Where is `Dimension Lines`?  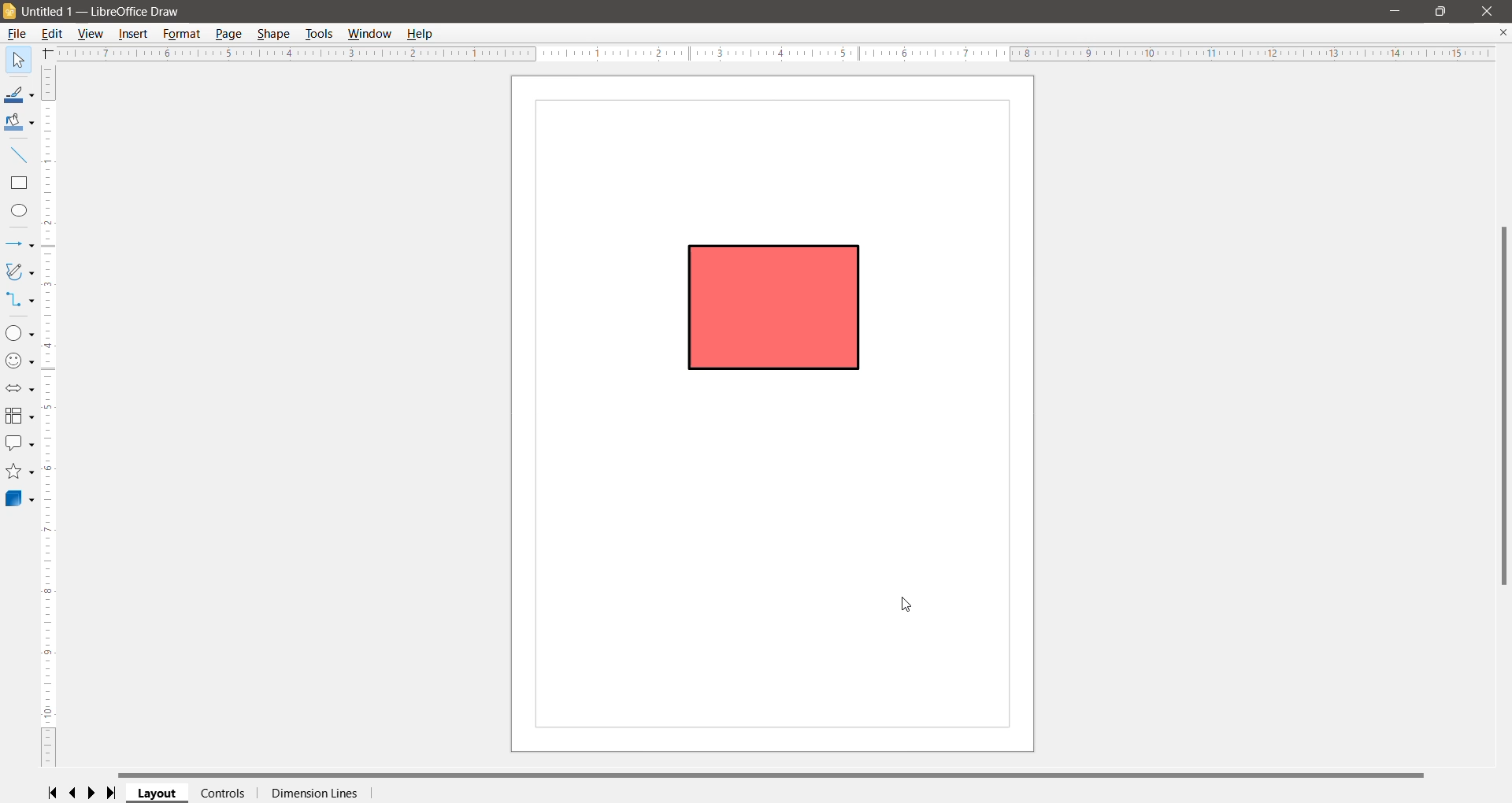
Dimension Lines is located at coordinates (314, 794).